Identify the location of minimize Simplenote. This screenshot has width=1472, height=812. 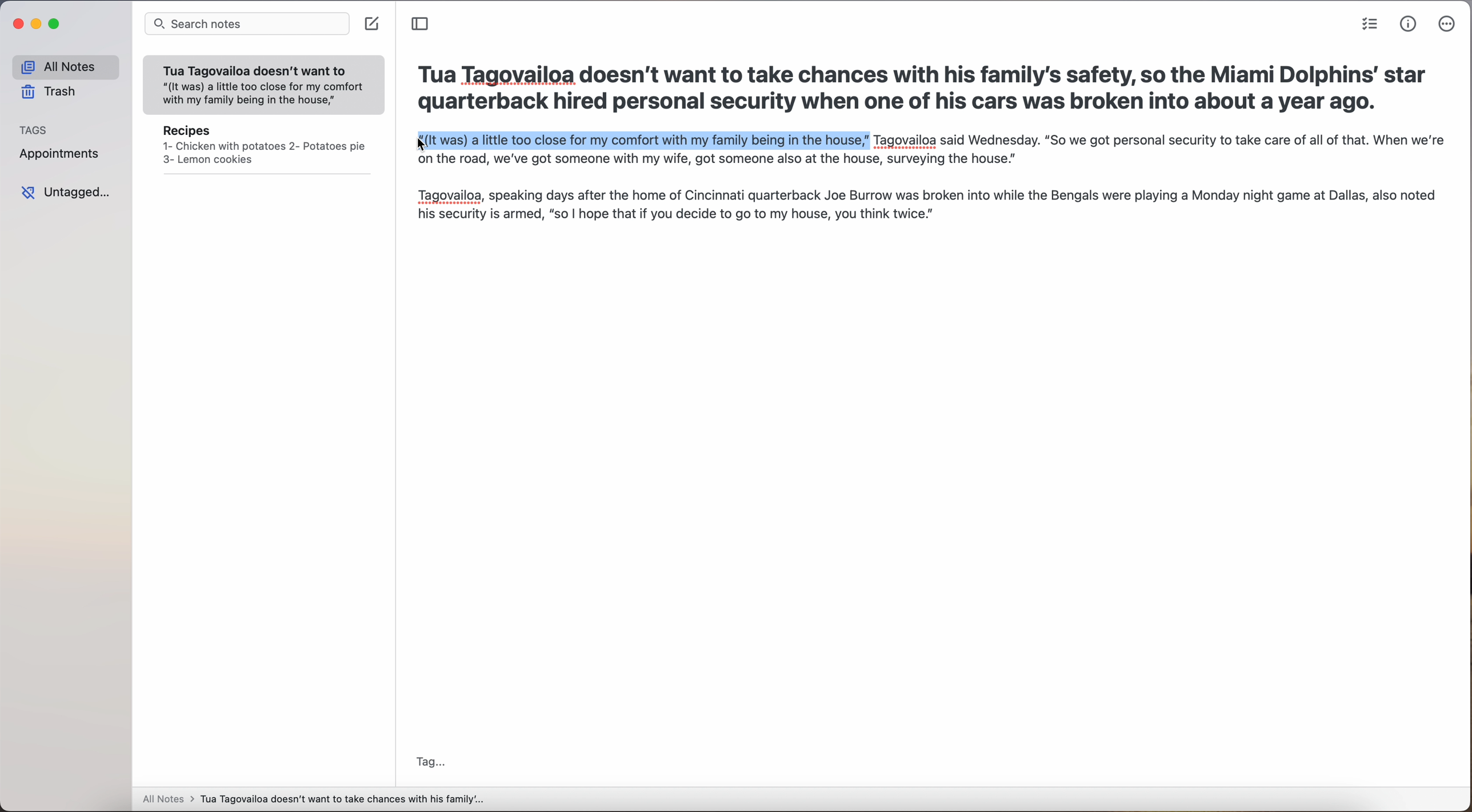
(38, 24).